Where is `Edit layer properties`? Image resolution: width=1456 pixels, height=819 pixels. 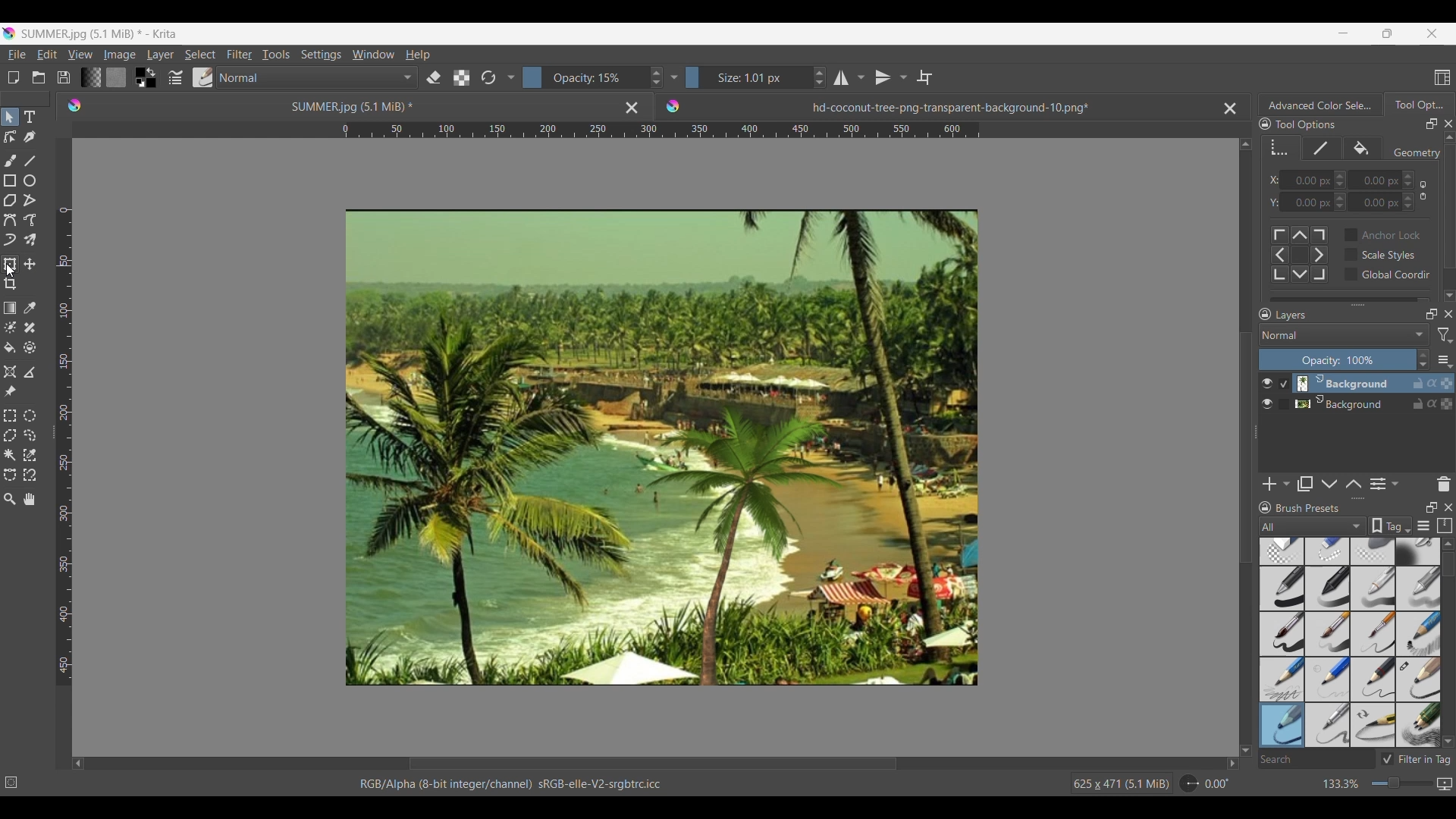
Edit layer properties is located at coordinates (1378, 485).